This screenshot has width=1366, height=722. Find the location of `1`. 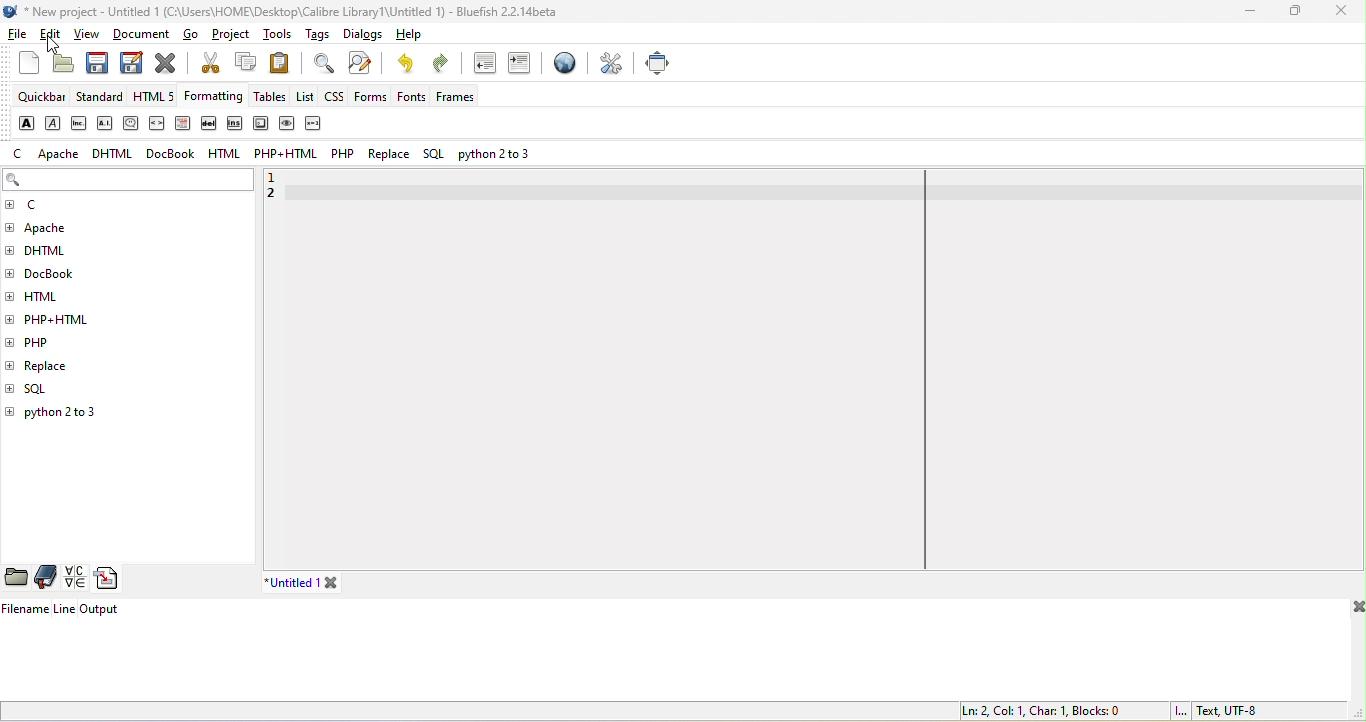

1 is located at coordinates (281, 176).